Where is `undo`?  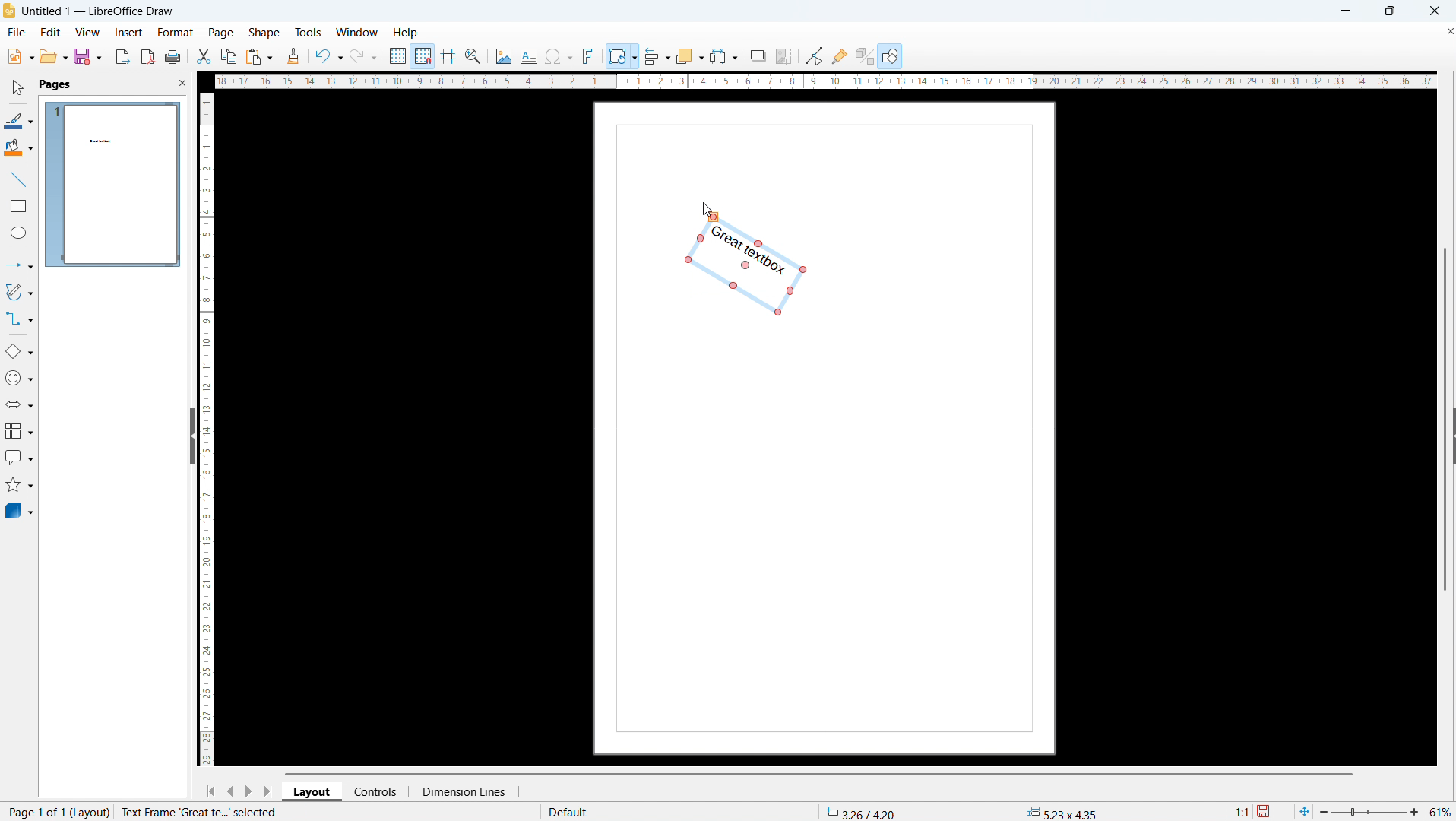 undo is located at coordinates (328, 55).